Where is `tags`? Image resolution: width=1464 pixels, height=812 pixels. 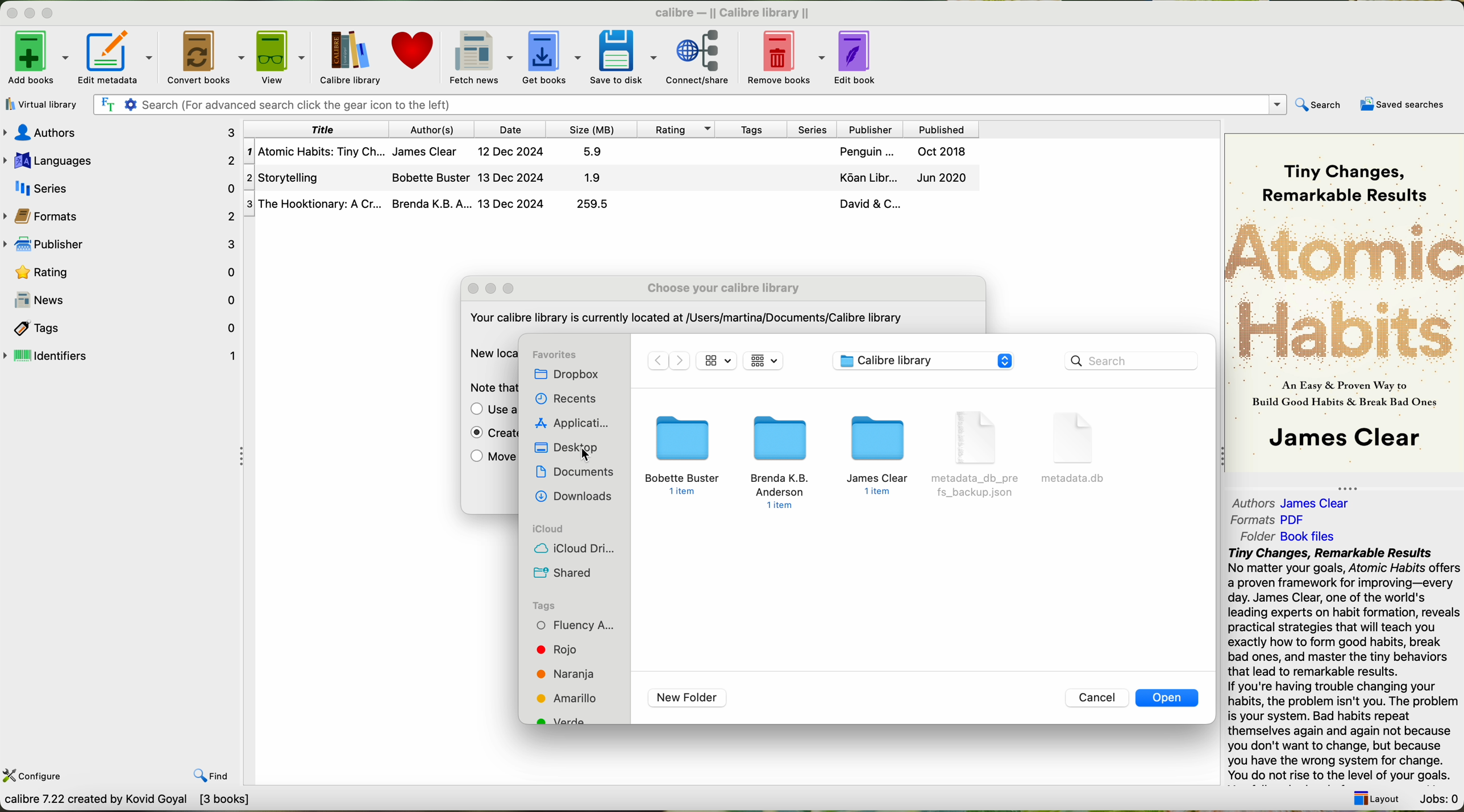
tags is located at coordinates (749, 128).